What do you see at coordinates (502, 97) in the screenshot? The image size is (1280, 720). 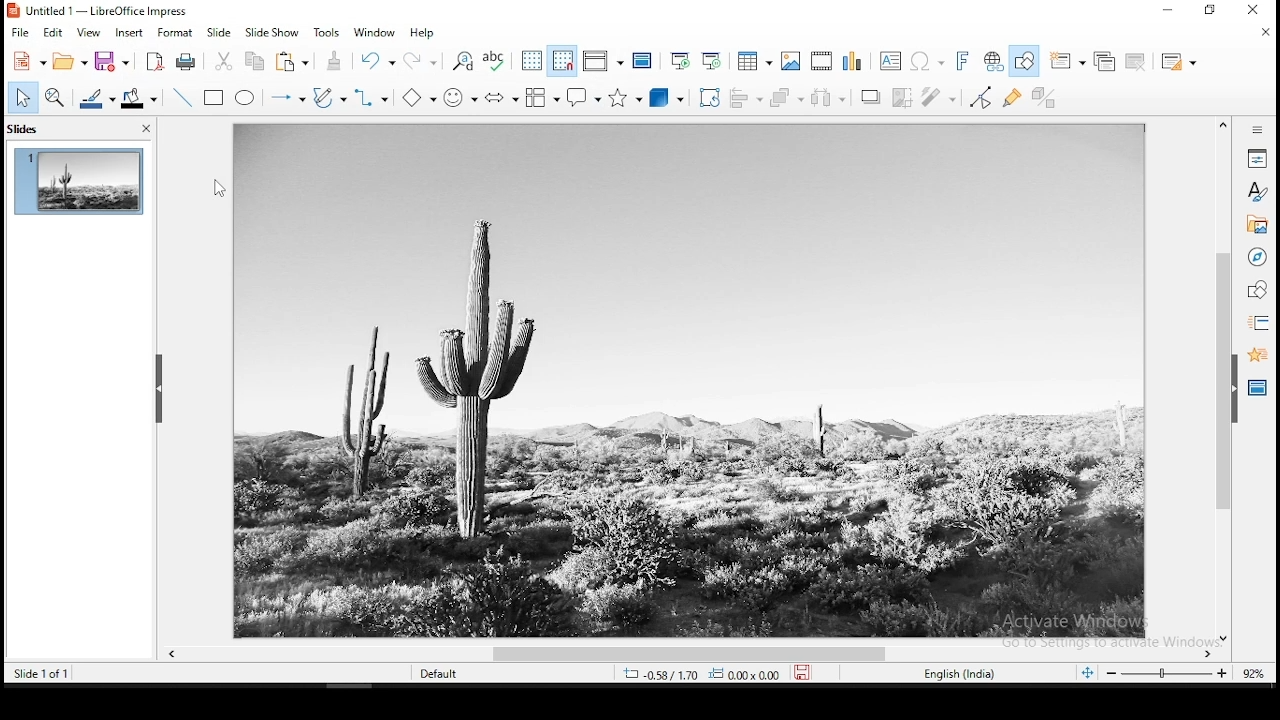 I see `block arrows` at bounding box center [502, 97].